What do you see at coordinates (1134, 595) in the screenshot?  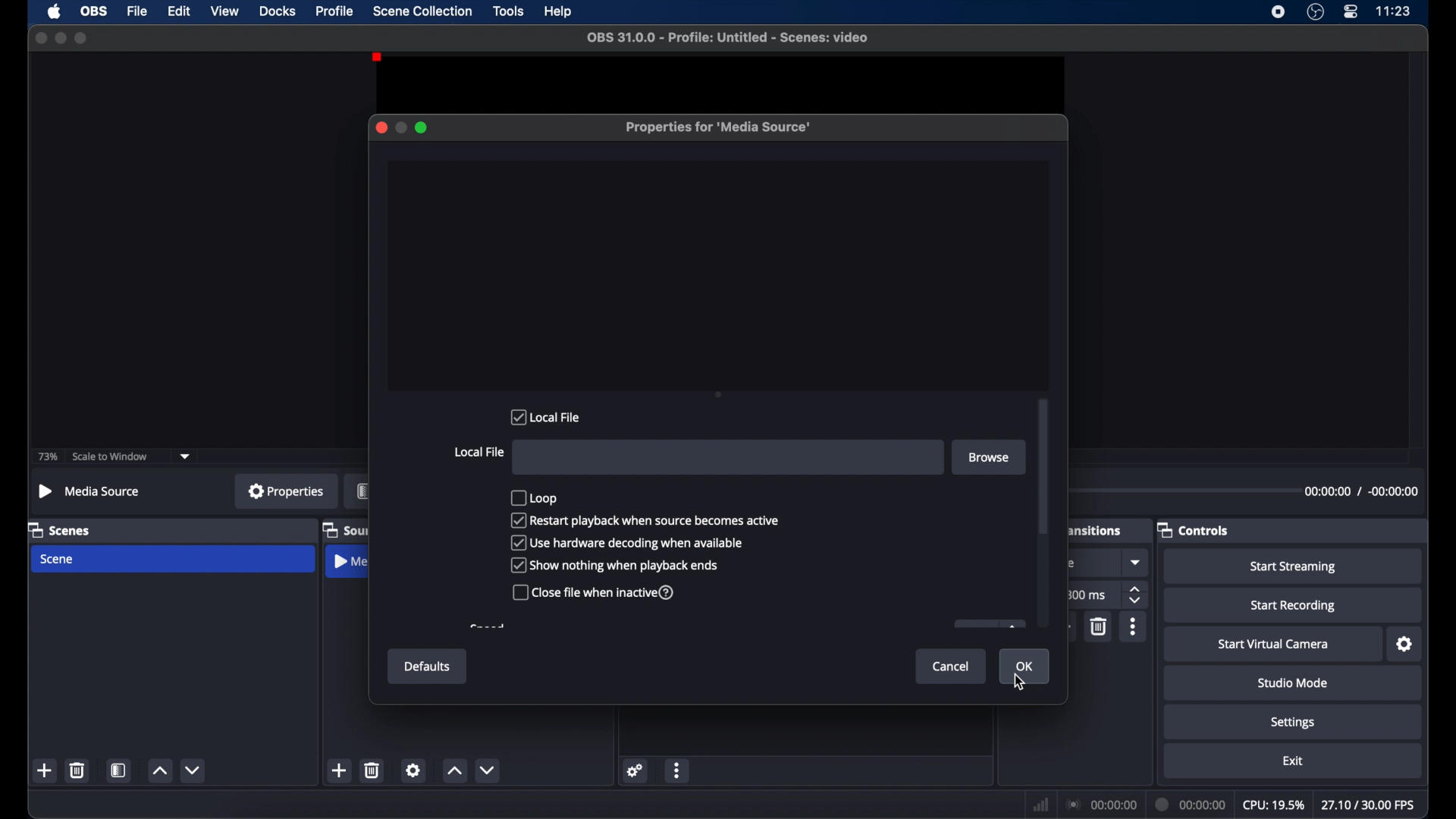 I see `stepper buttons` at bounding box center [1134, 595].